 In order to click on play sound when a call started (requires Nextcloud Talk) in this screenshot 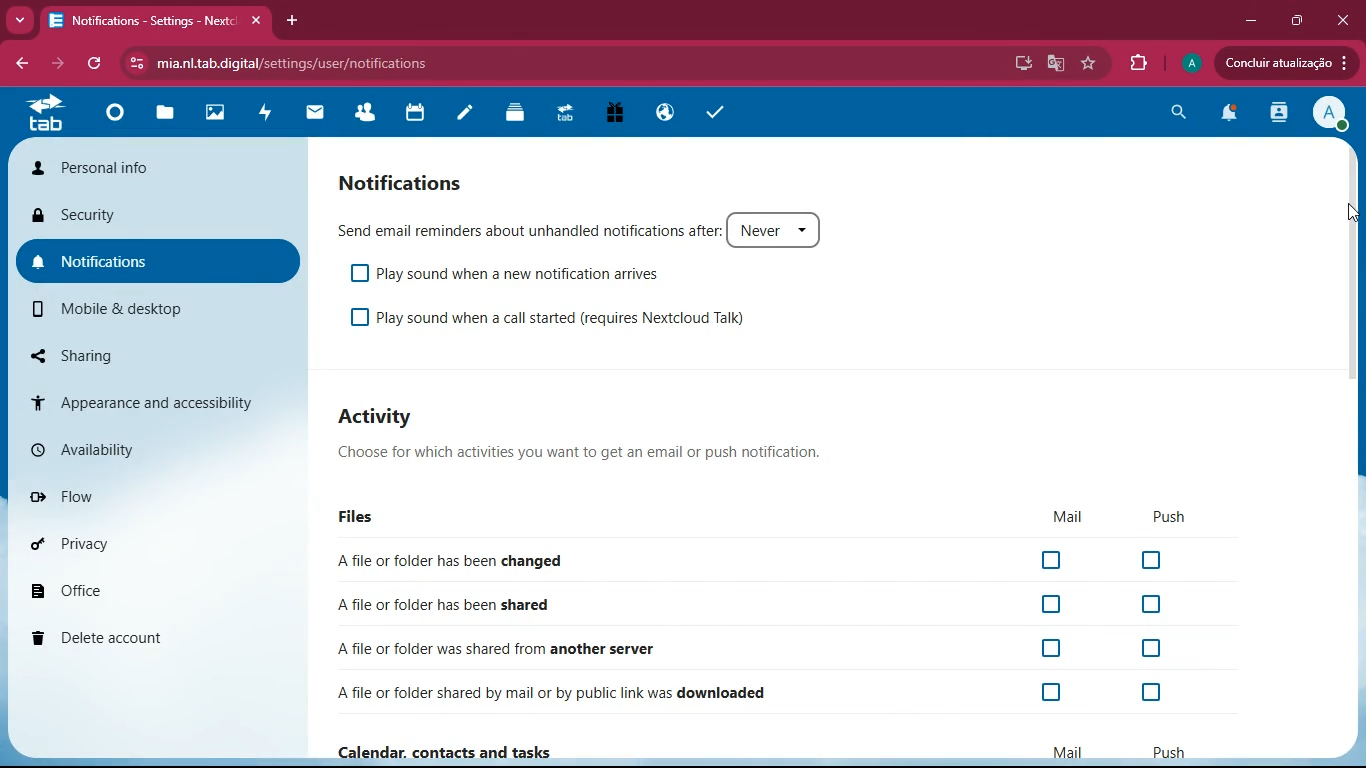, I will do `click(562, 315)`.